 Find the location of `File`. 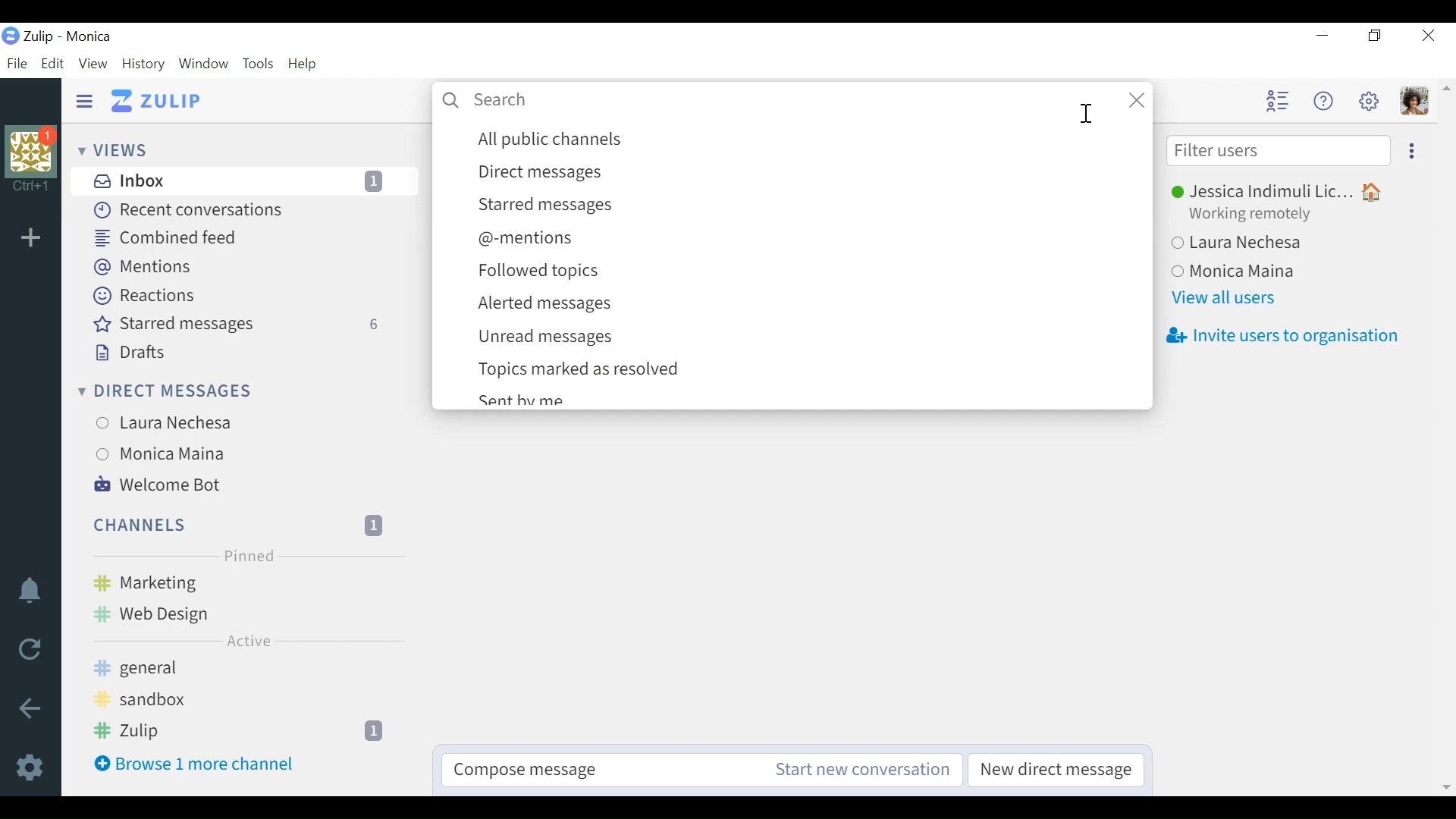

File is located at coordinates (17, 64).